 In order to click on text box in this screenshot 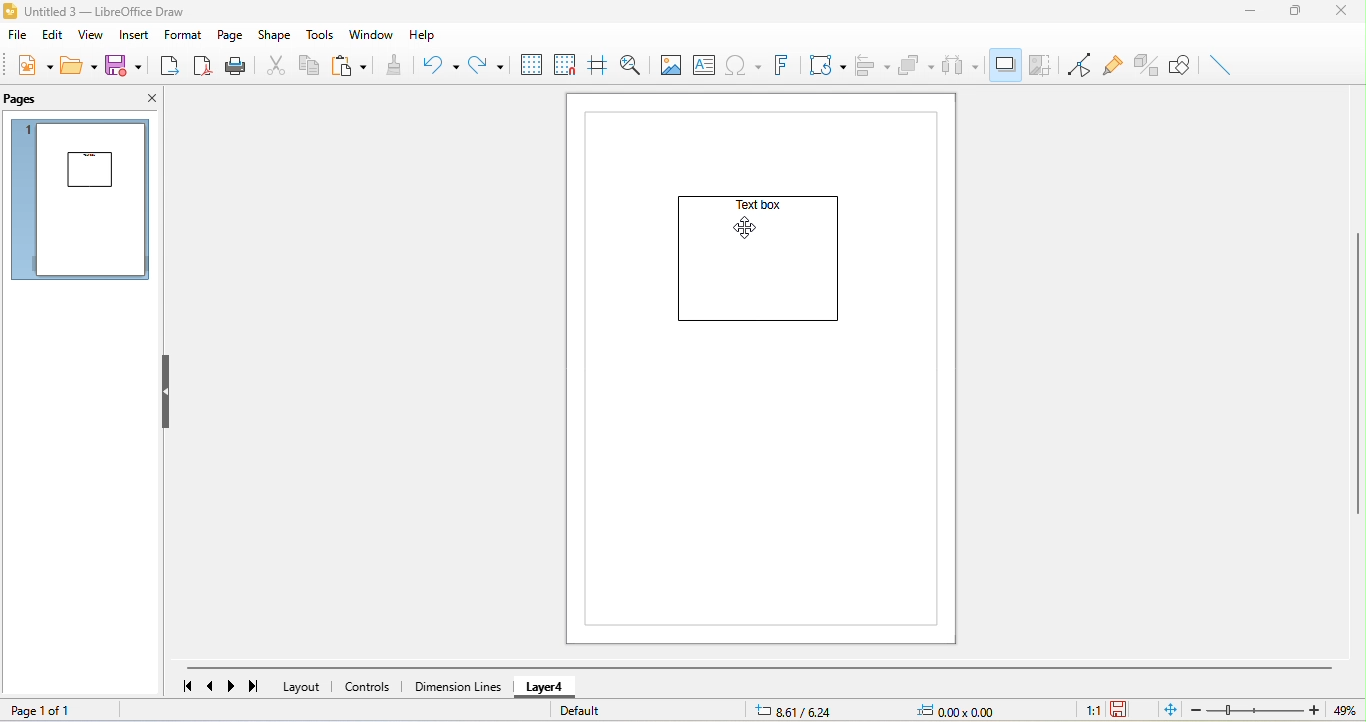, I will do `click(755, 207)`.